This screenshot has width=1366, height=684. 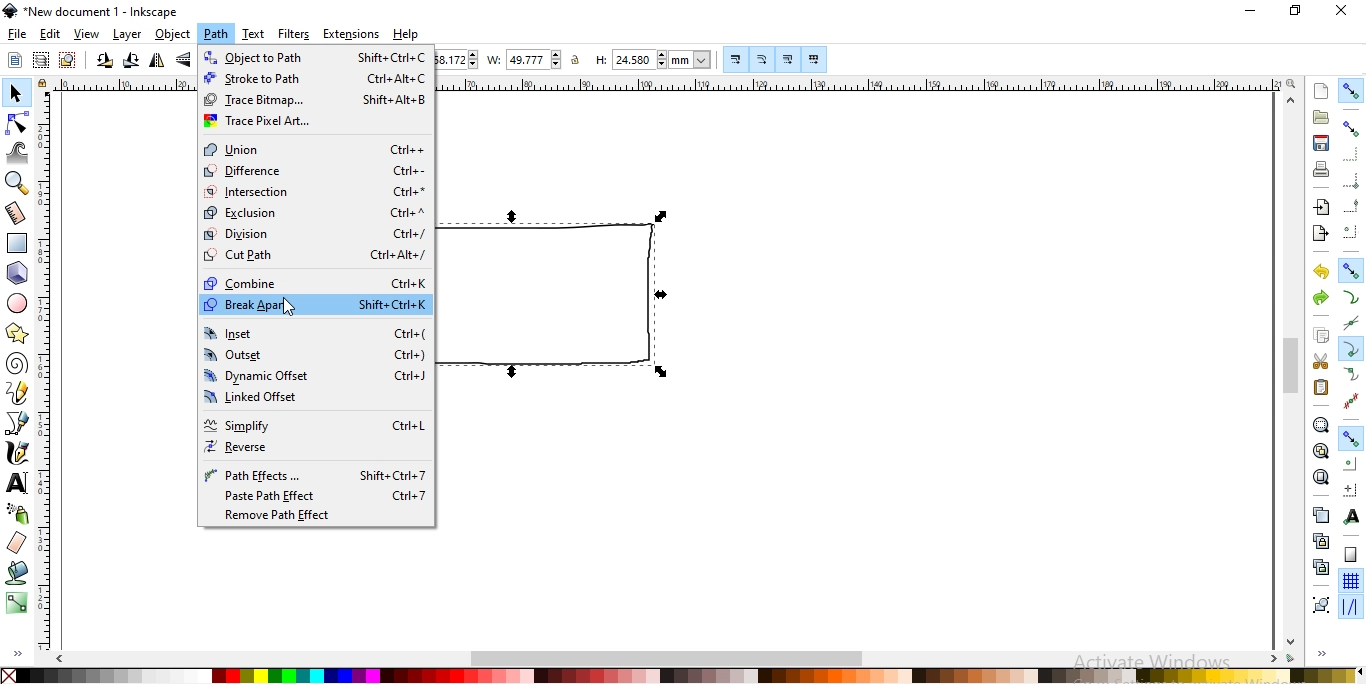 I want to click on enable snapping, so click(x=1351, y=91).